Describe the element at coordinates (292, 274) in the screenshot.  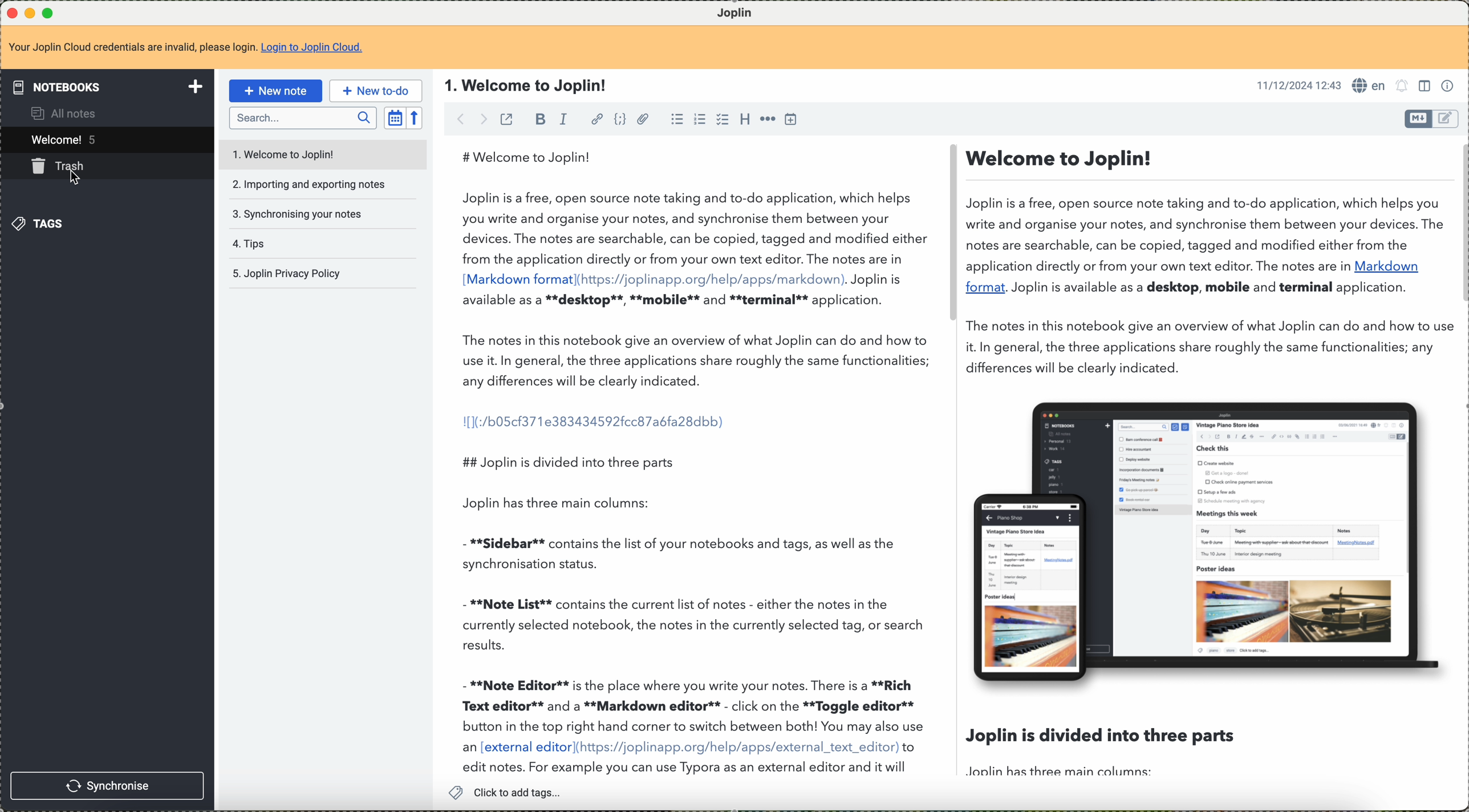
I see `Joplin privacy policy` at that location.